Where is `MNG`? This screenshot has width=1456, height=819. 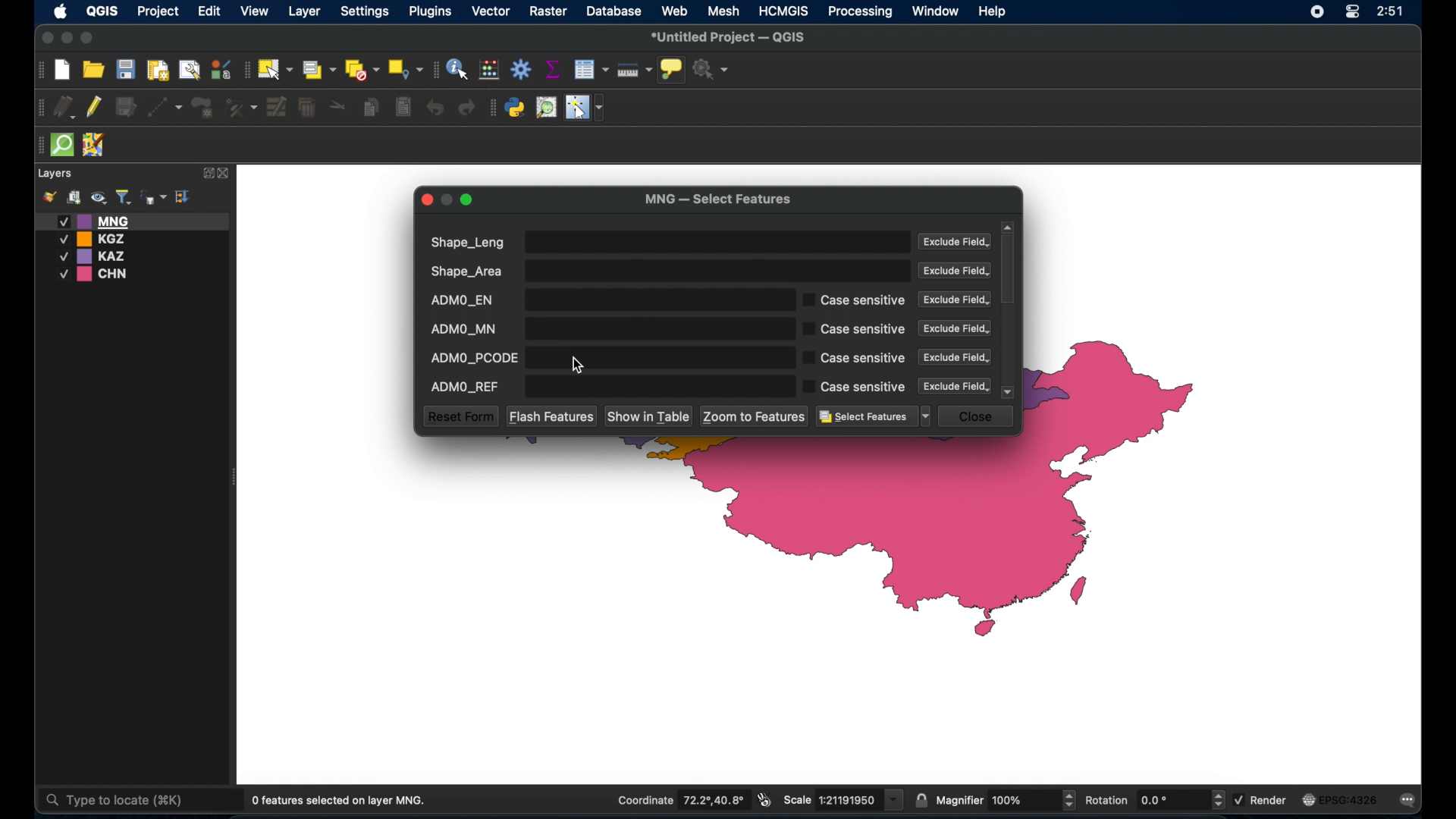 MNG is located at coordinates (133, 221).